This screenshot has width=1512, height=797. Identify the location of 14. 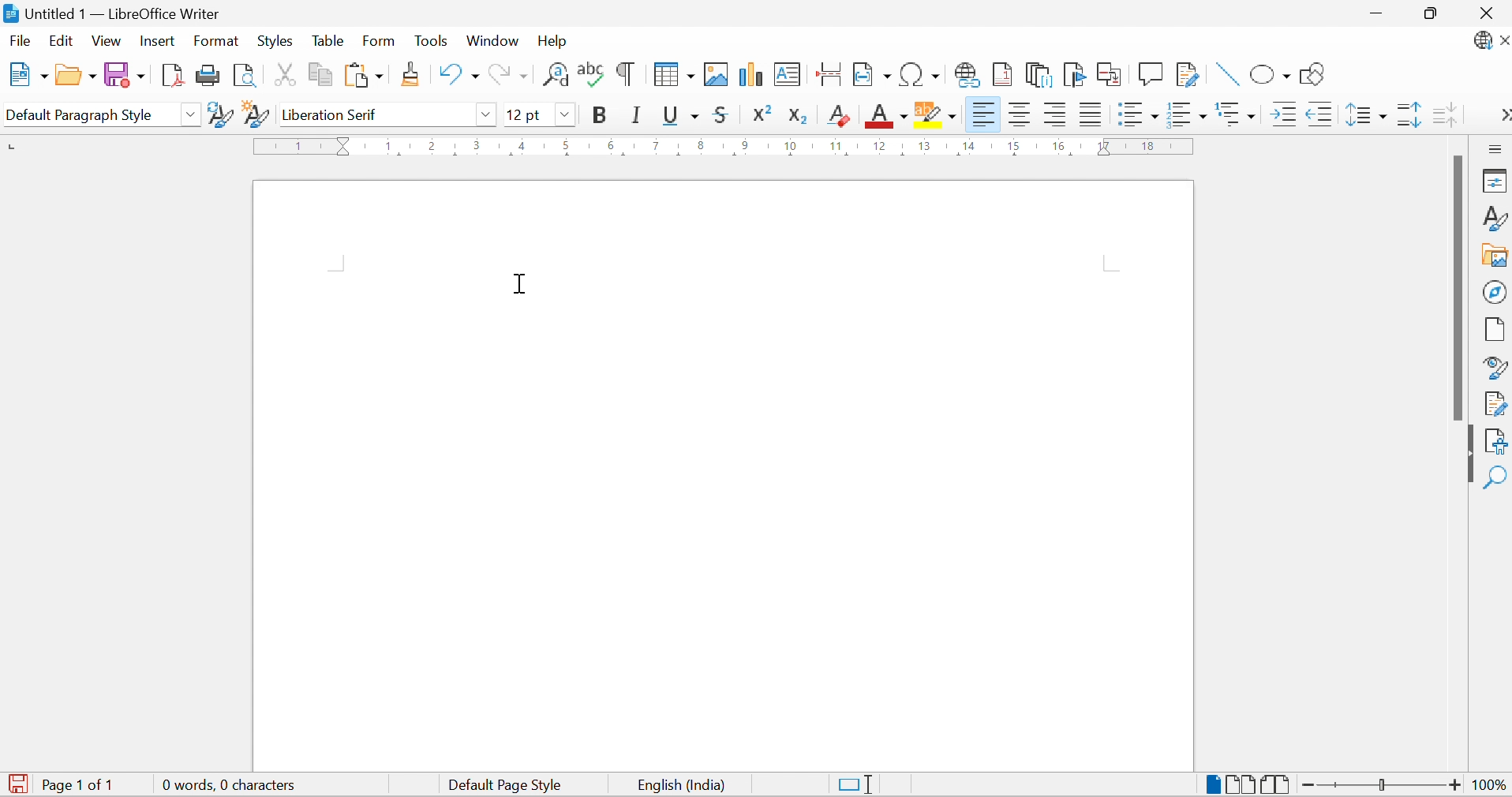
(968, 148).